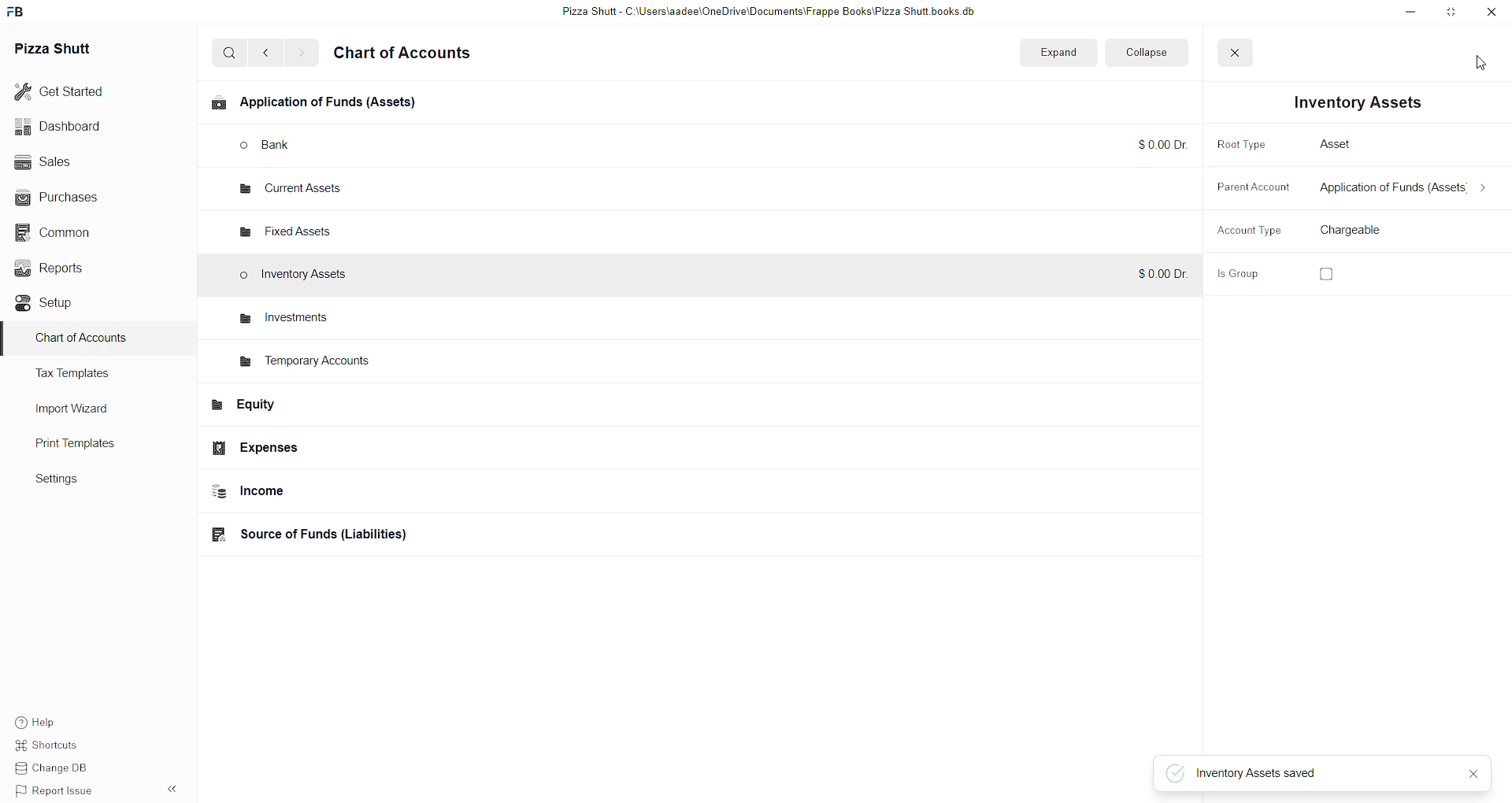  Describe the element at coordinates (1329, 142) in the screenshot. I see `Asset` at that location.